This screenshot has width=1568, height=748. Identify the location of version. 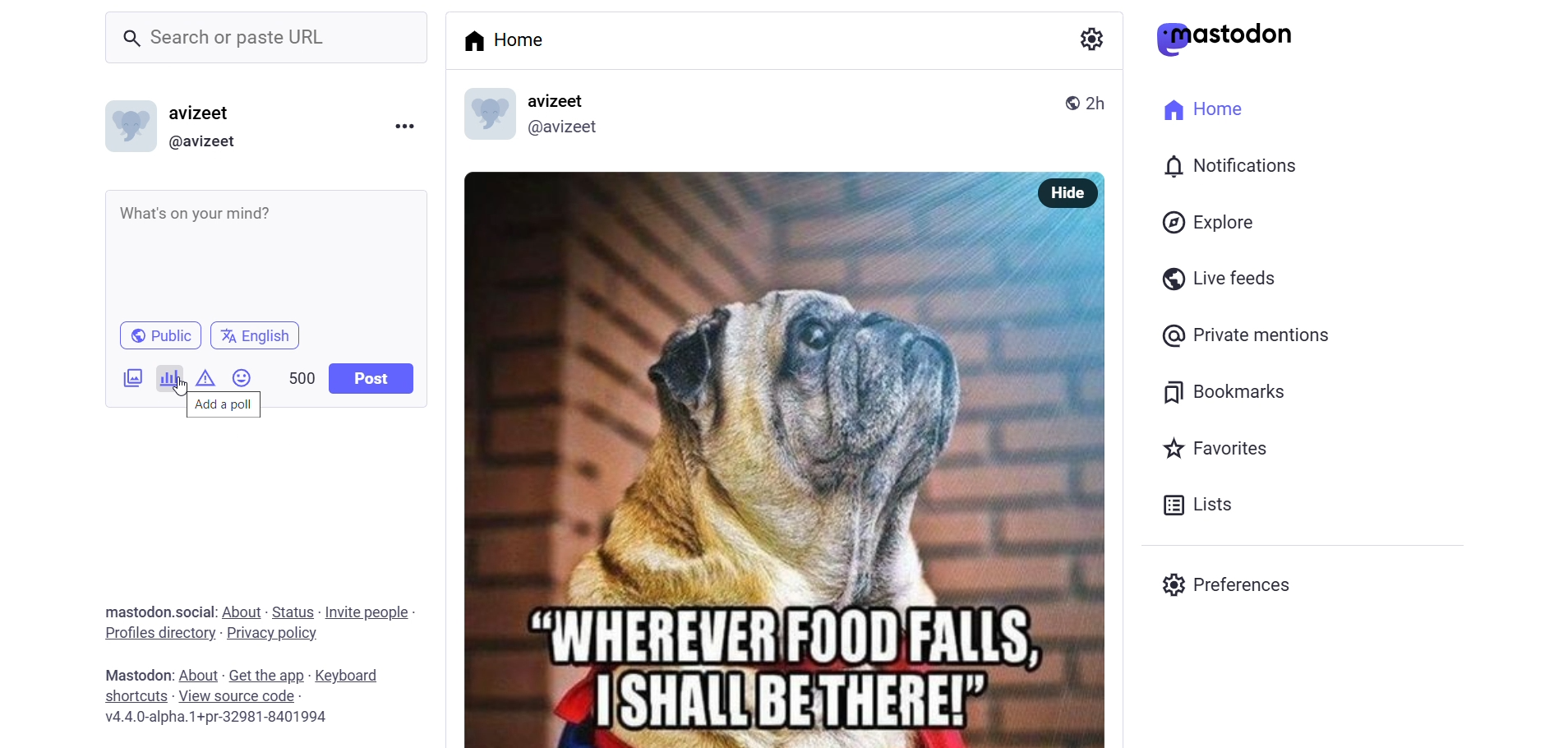
(218, 719).